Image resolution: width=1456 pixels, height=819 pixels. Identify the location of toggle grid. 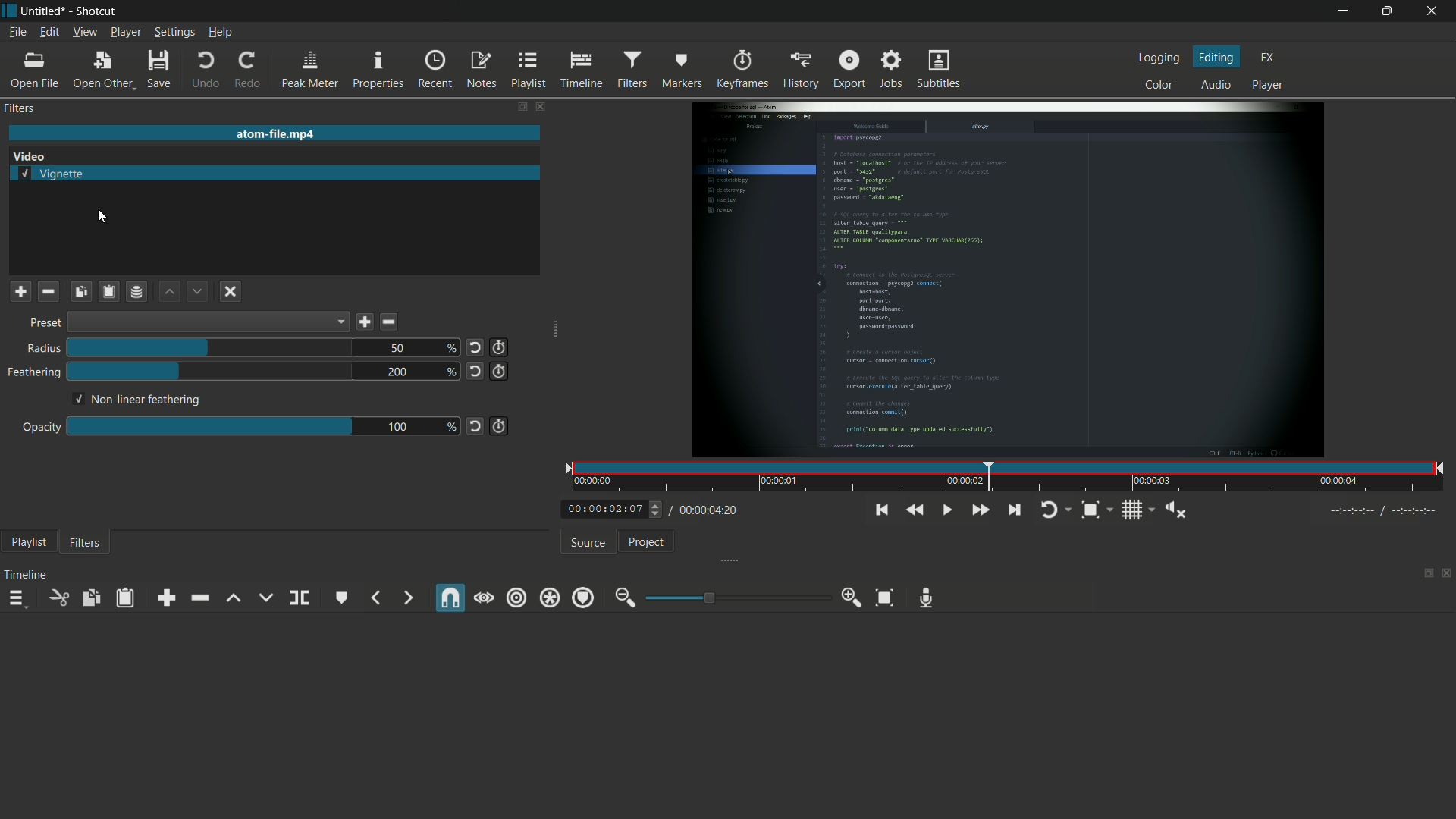
(1137, 509).